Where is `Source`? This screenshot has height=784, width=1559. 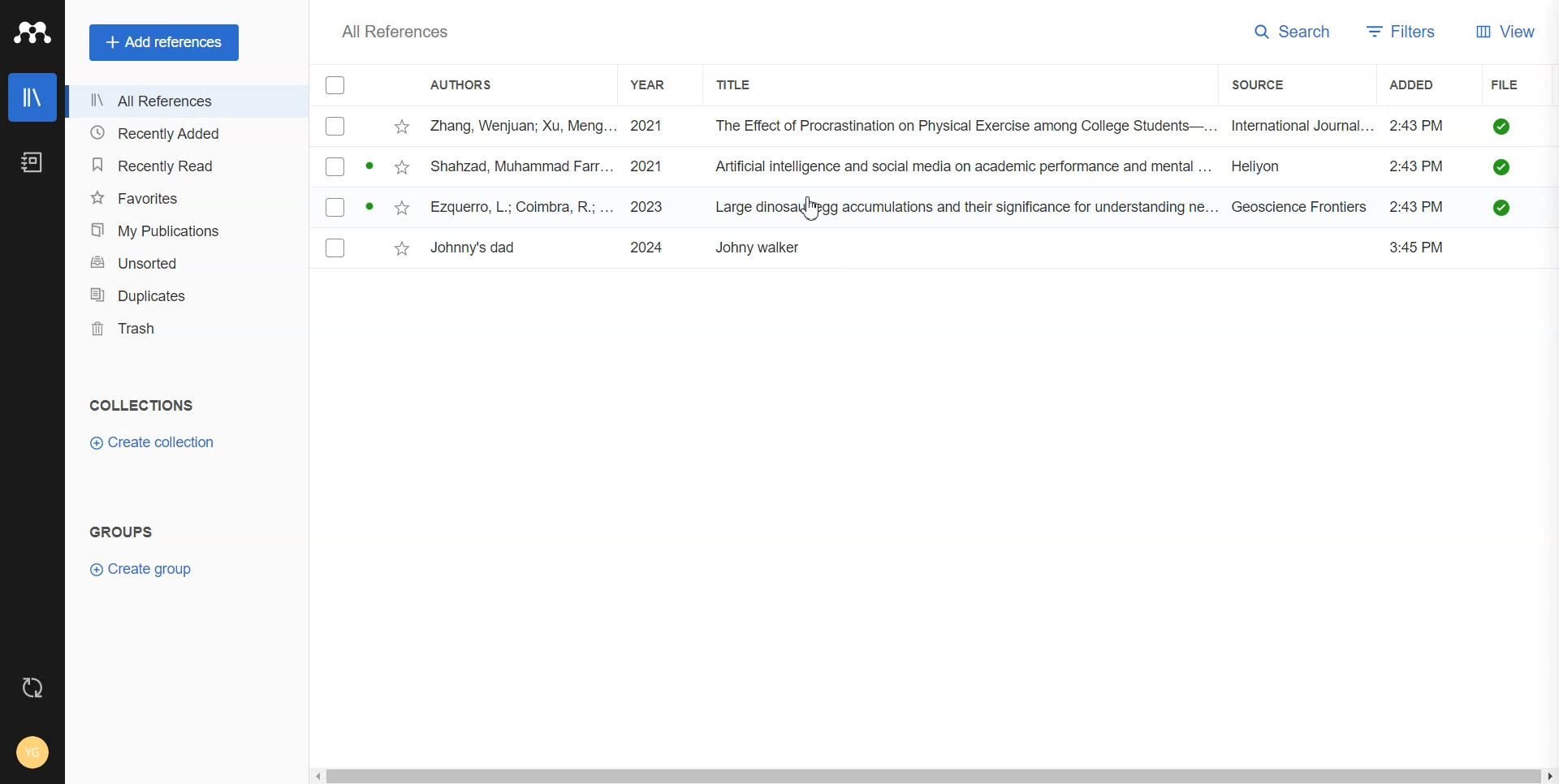 Source is located at coordinates (1279, 84).